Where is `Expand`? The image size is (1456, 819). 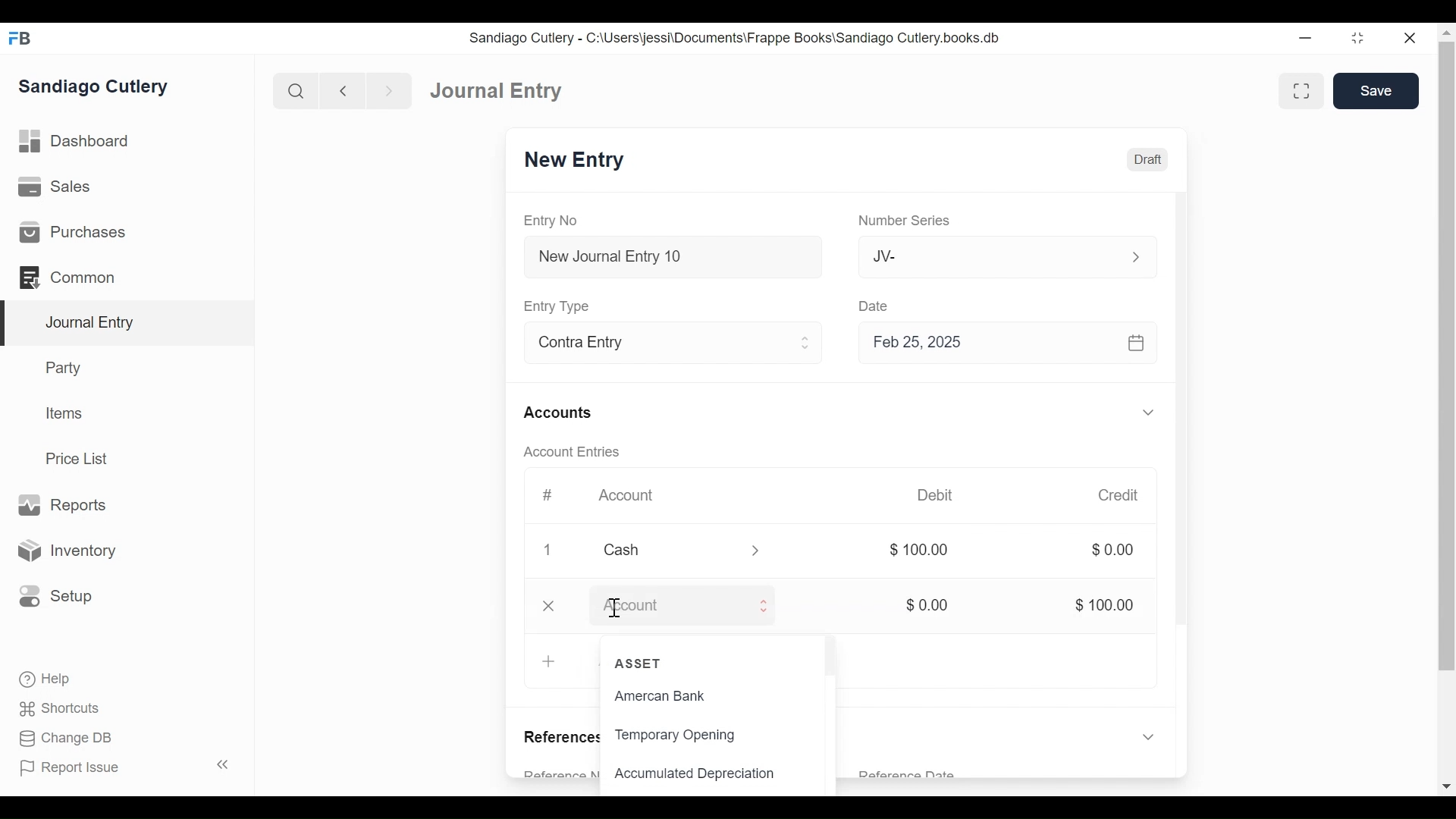
Expand is located at coordinates (1134, 255).